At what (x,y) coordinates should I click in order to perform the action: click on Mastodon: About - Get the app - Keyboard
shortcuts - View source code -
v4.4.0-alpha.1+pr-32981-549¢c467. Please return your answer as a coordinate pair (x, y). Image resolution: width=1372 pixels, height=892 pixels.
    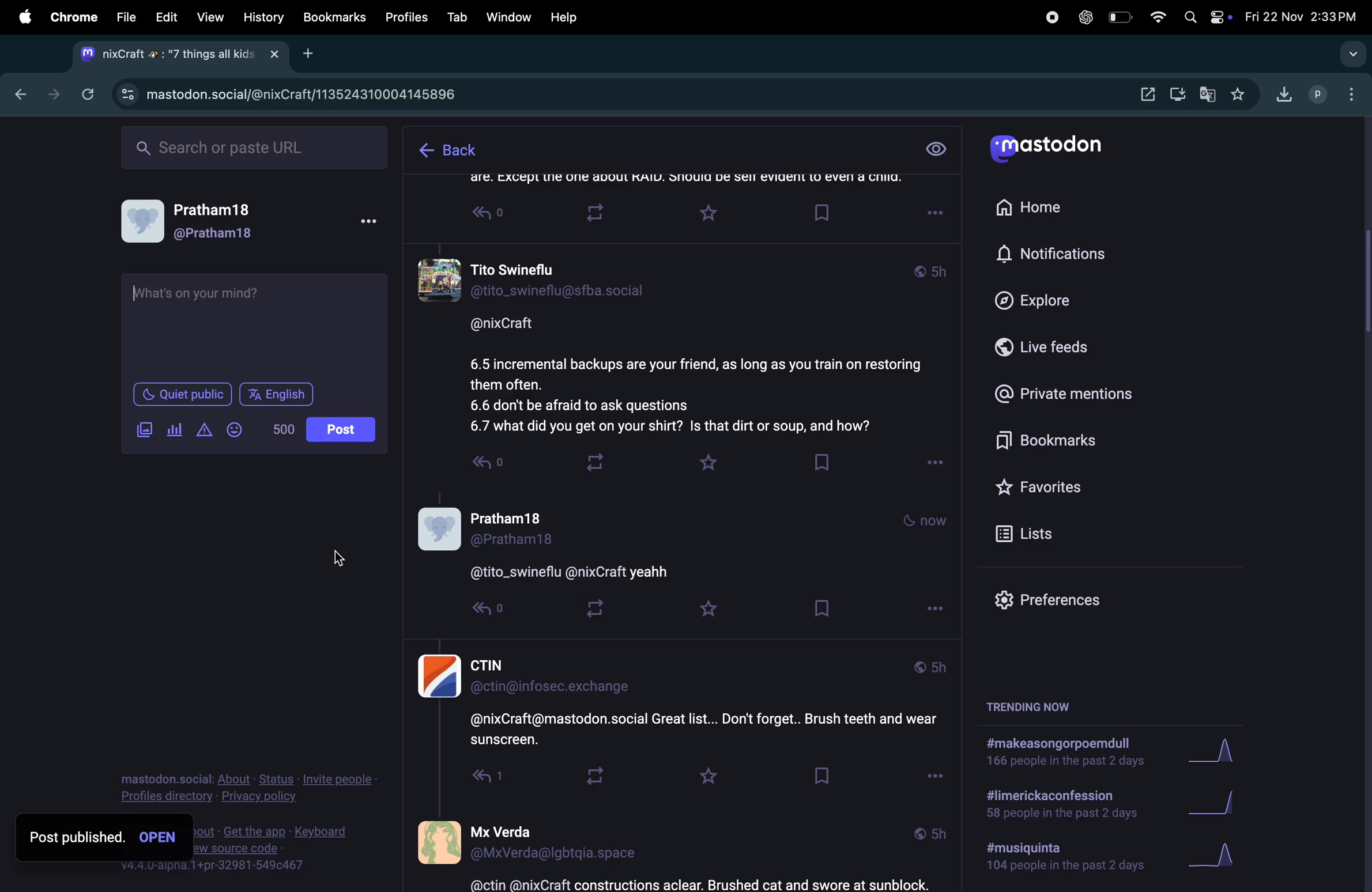
    Looking at the image, I should click on (277, 845).